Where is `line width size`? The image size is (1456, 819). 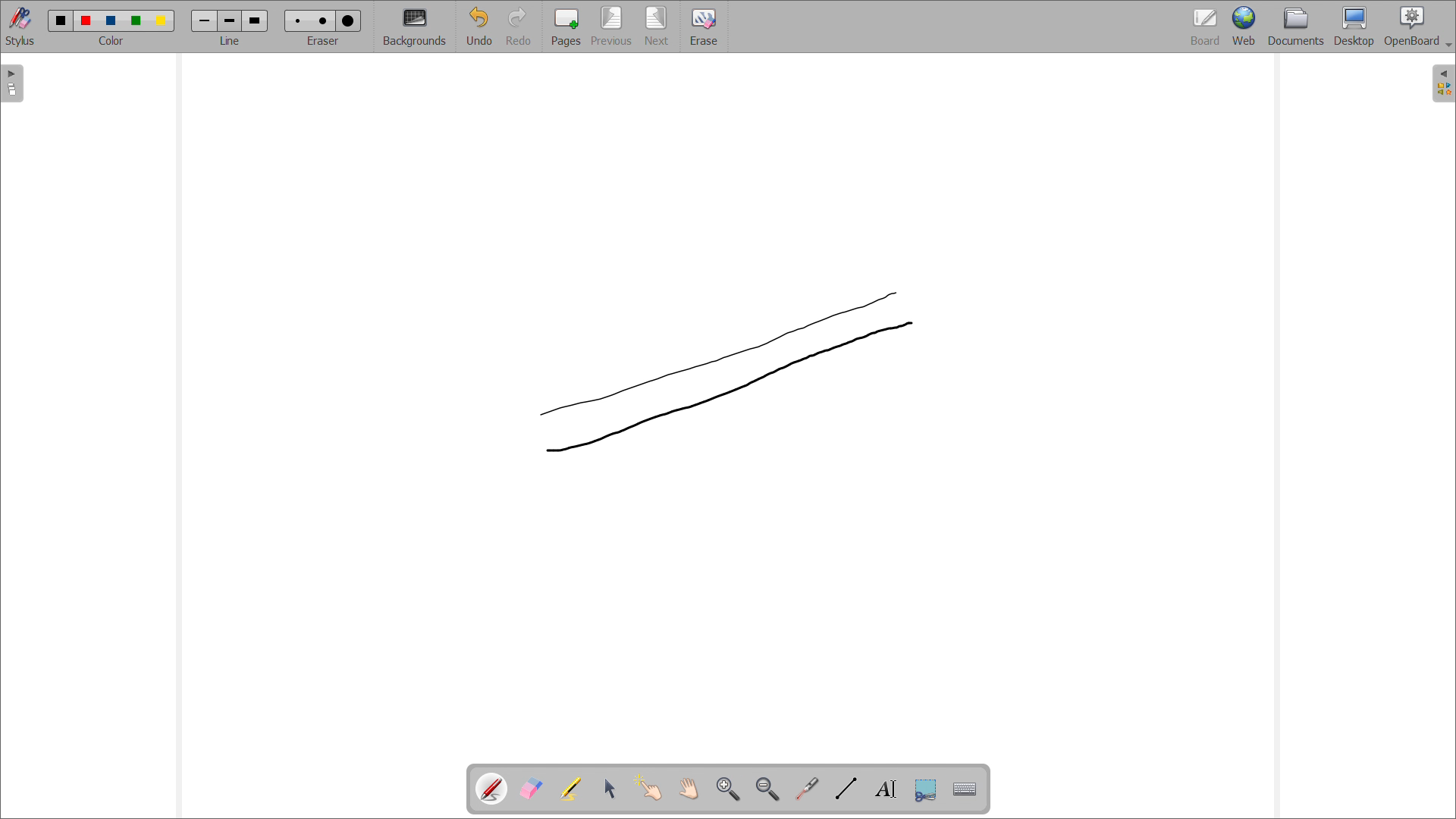 line width size is located at coordinates (231, 22).